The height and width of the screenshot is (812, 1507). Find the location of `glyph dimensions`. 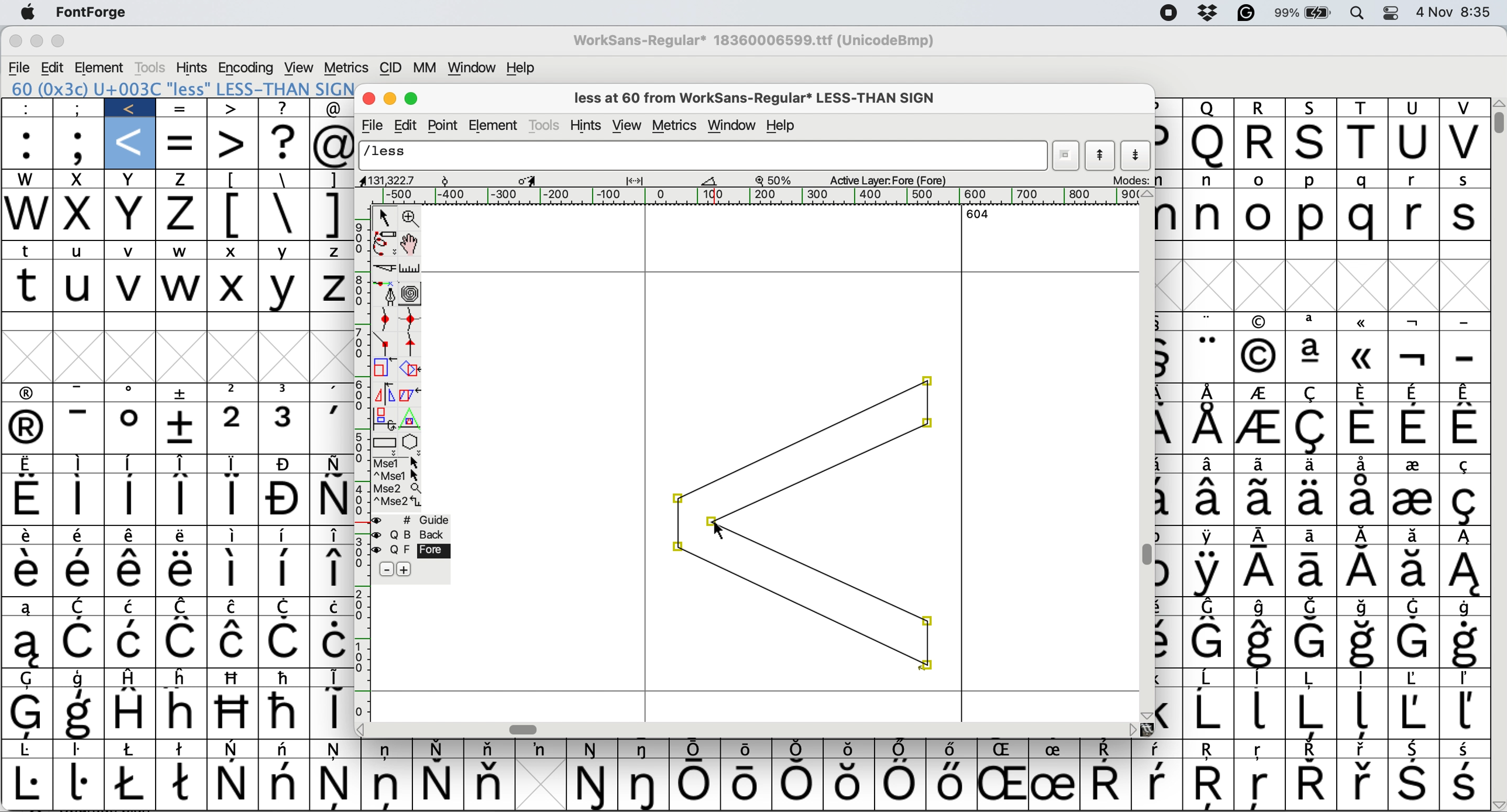

glyph dimensions is located at coordinates (541, 180).